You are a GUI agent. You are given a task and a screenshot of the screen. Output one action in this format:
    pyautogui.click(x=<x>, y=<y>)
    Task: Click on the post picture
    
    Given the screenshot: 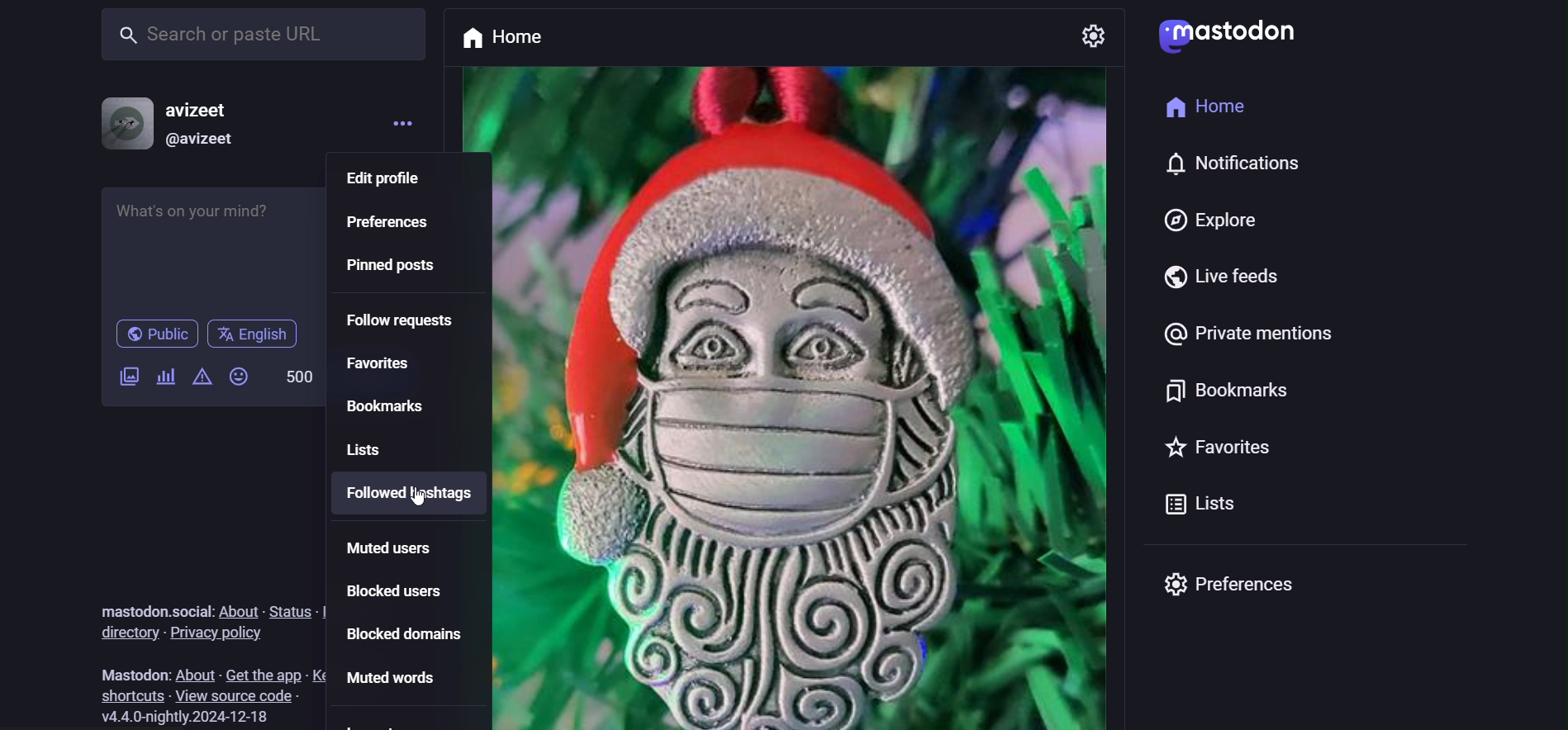 What is the action you would take?
    pyautogui.click(x=786, y=396)
    